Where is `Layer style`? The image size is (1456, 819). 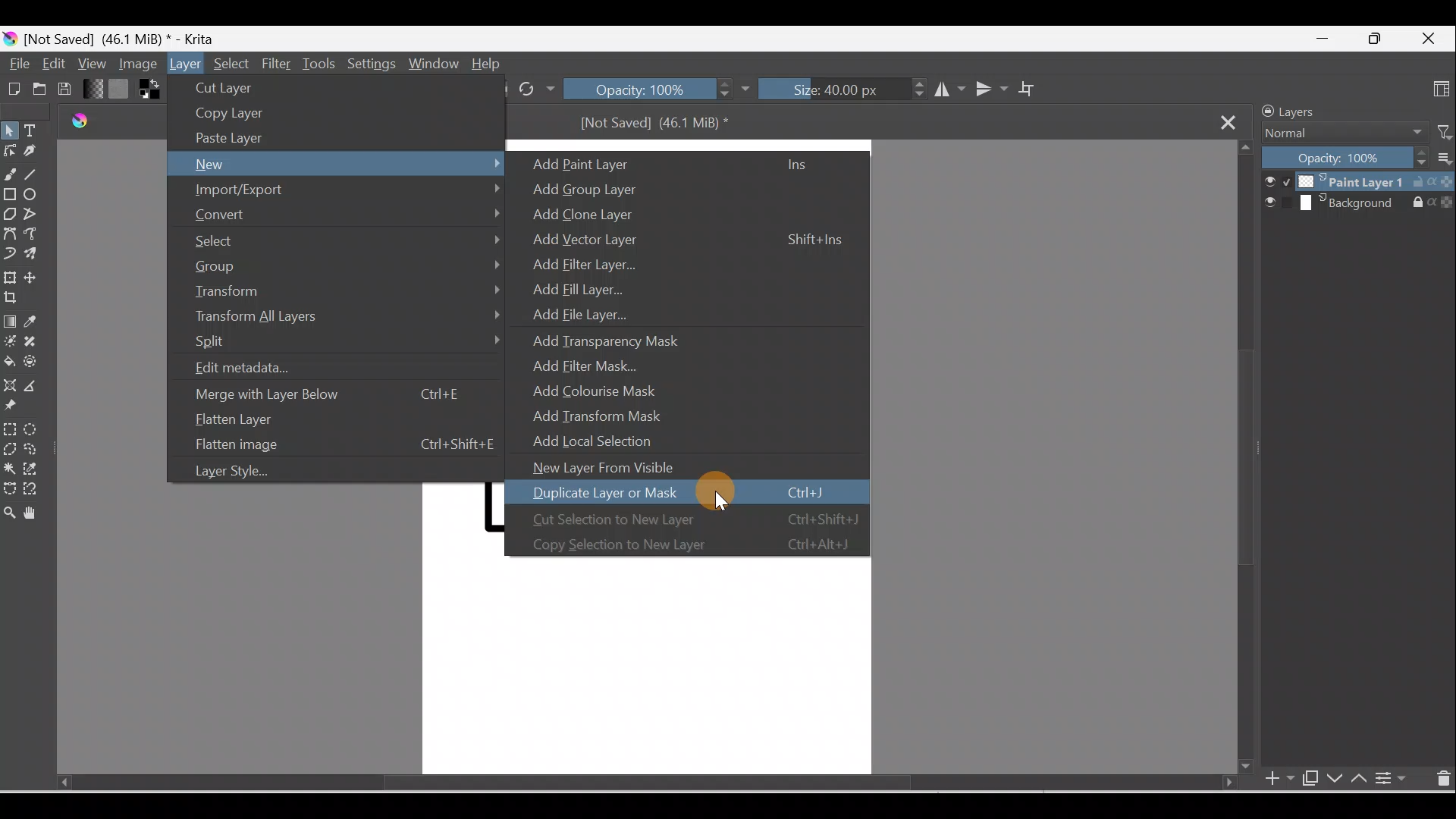
Layer style is located at coordinates (248, 473).